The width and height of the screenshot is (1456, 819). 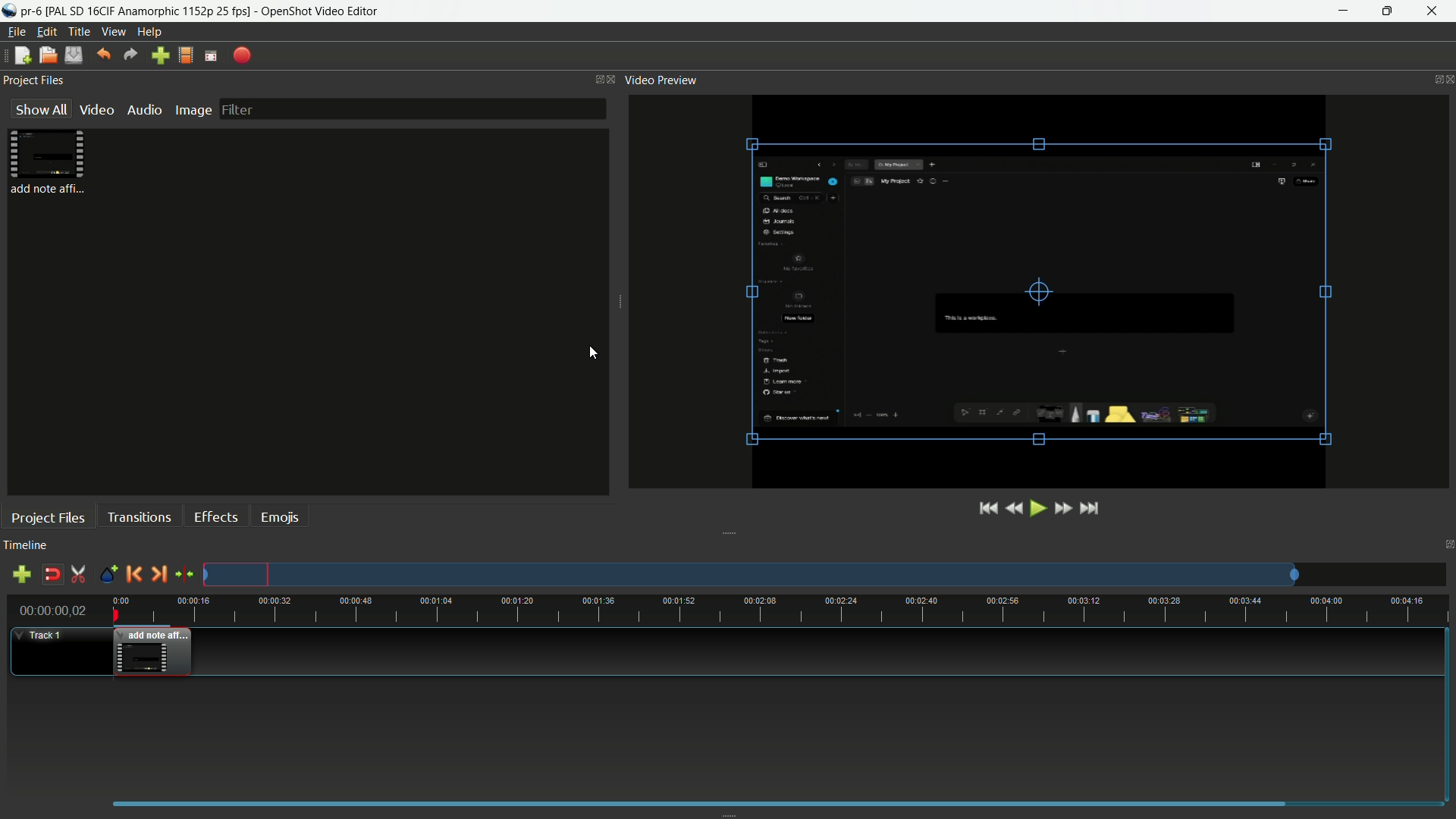 I want to click on current time, so click(x=54, y=610).